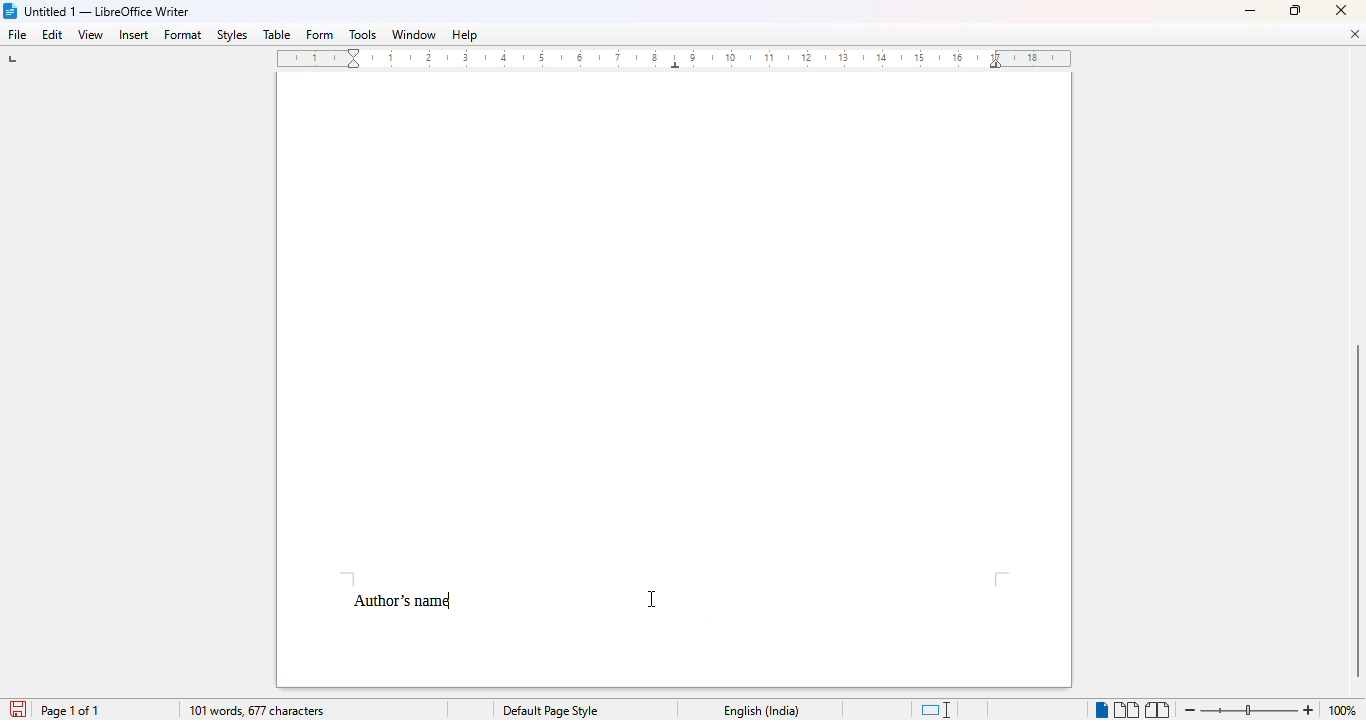 The height and width of the screenshot is (720, 1366). I want to click on close, so click(1343, 10).